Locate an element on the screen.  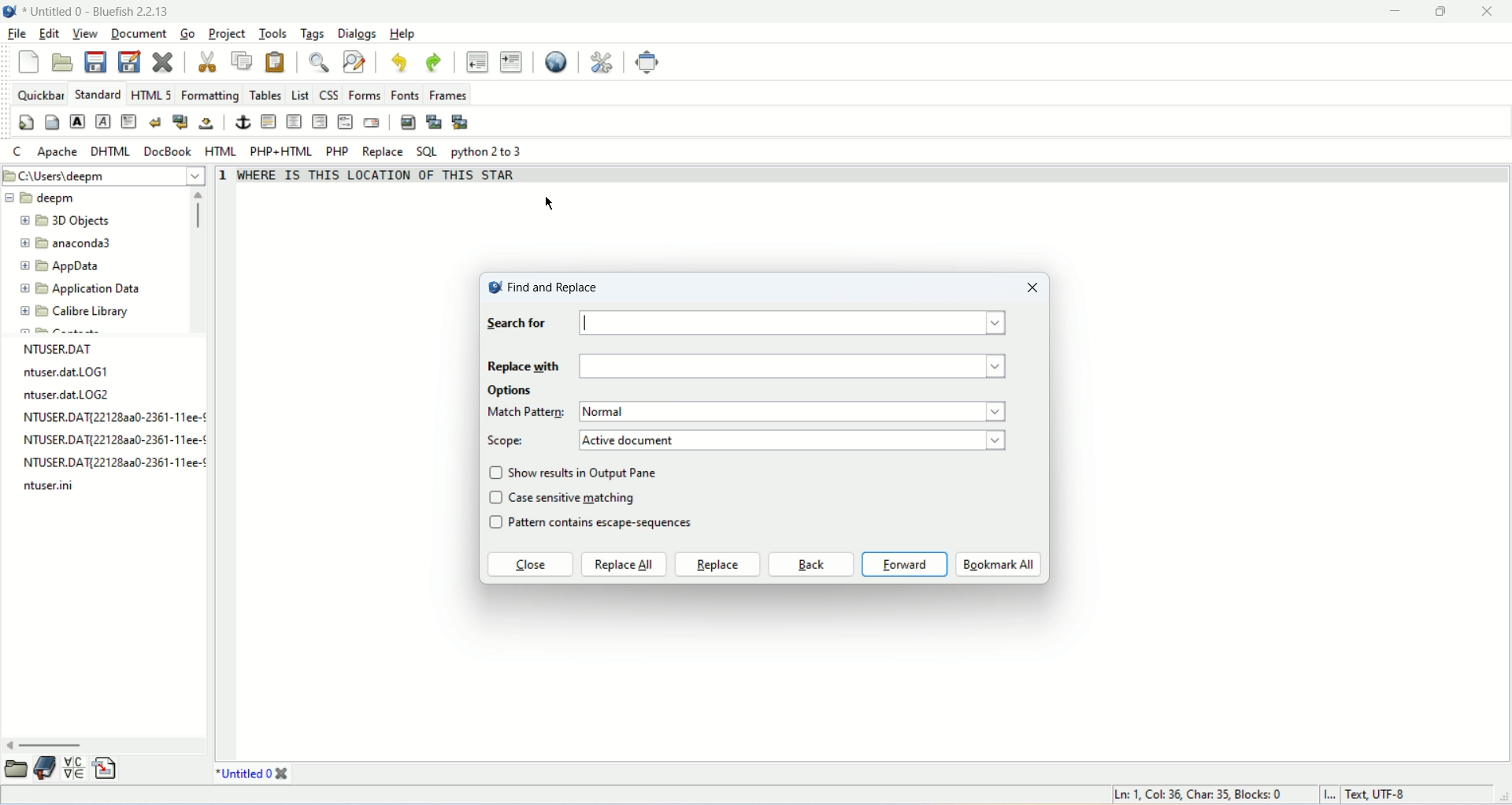
DocBook is located at coordinates (169, 150).